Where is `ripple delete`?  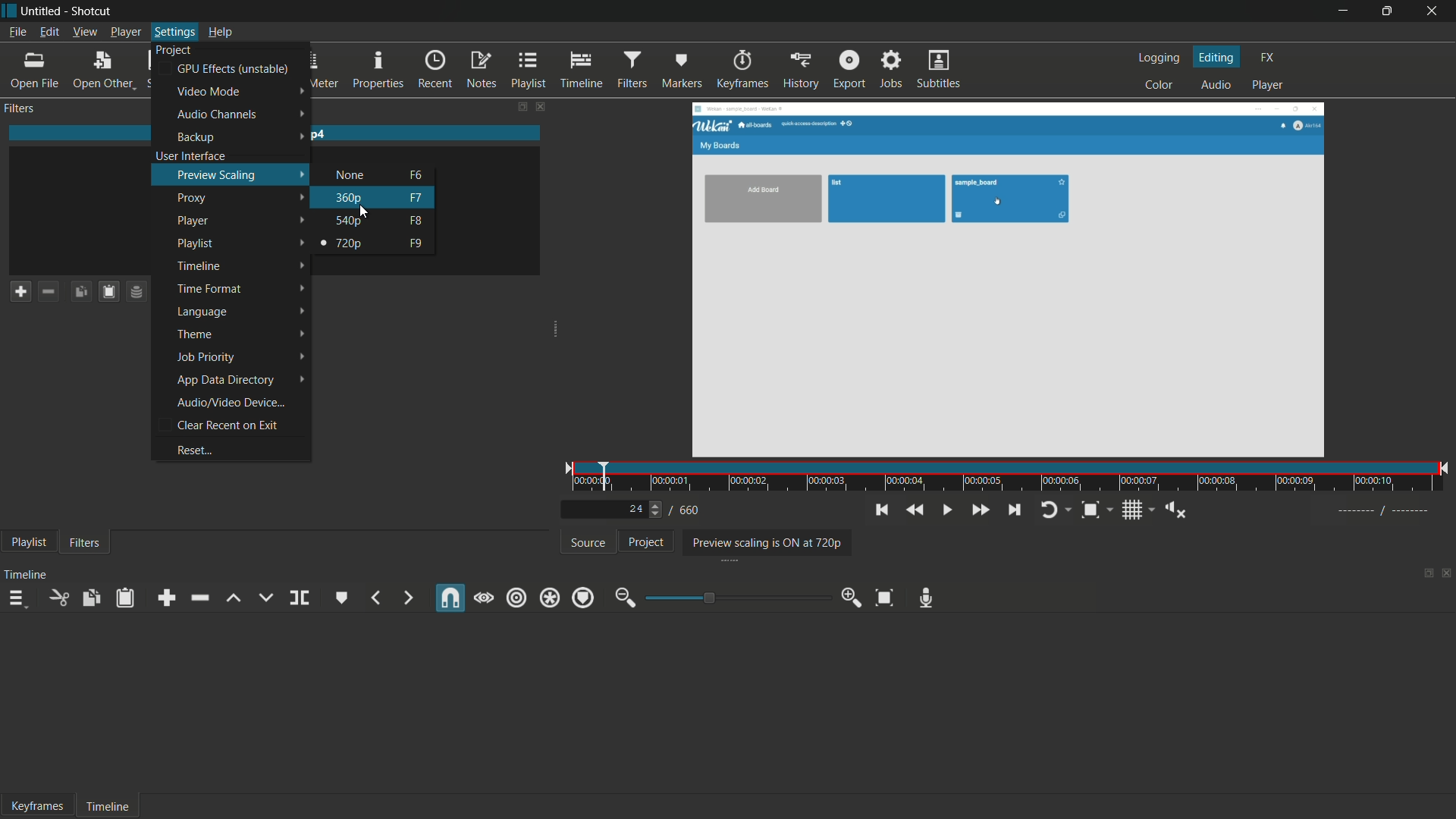
ripple delete is located at coordinates (202, 598).